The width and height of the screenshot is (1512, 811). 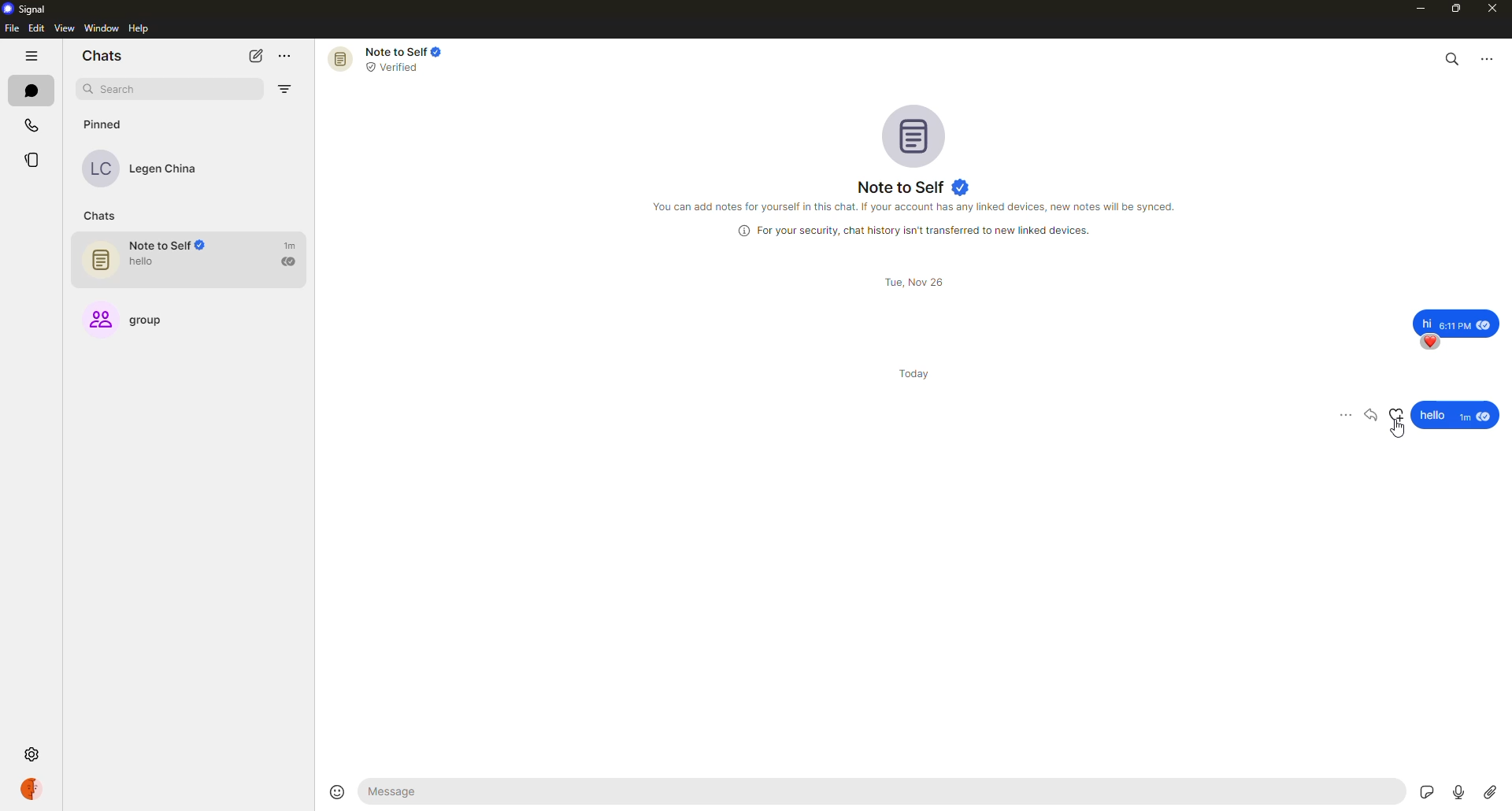 I want to click on pinned, so click(x=102, y=124).